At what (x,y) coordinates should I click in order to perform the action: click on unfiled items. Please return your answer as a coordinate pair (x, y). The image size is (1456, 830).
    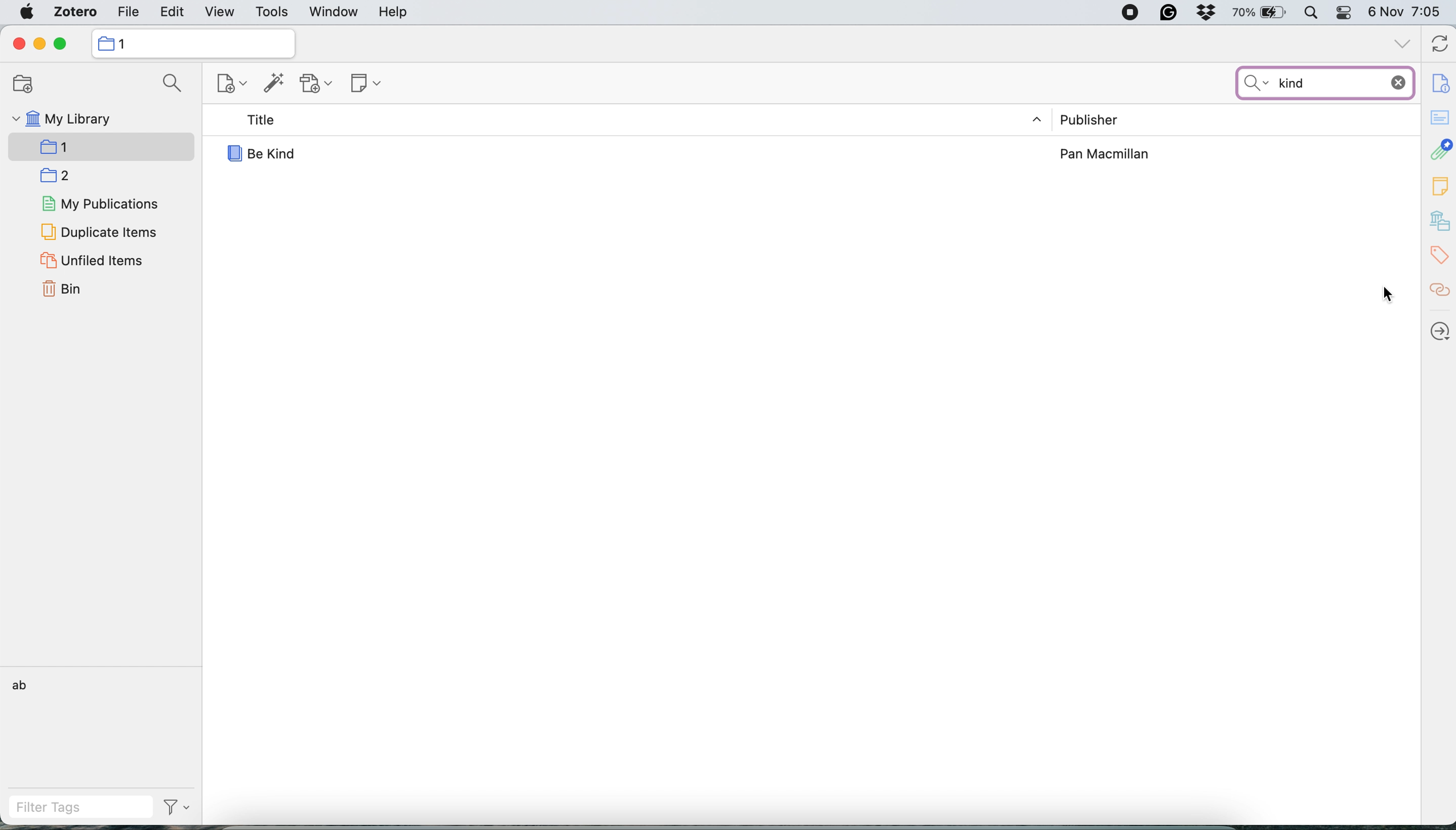
    Looking at the image, I should click on (93, 260).